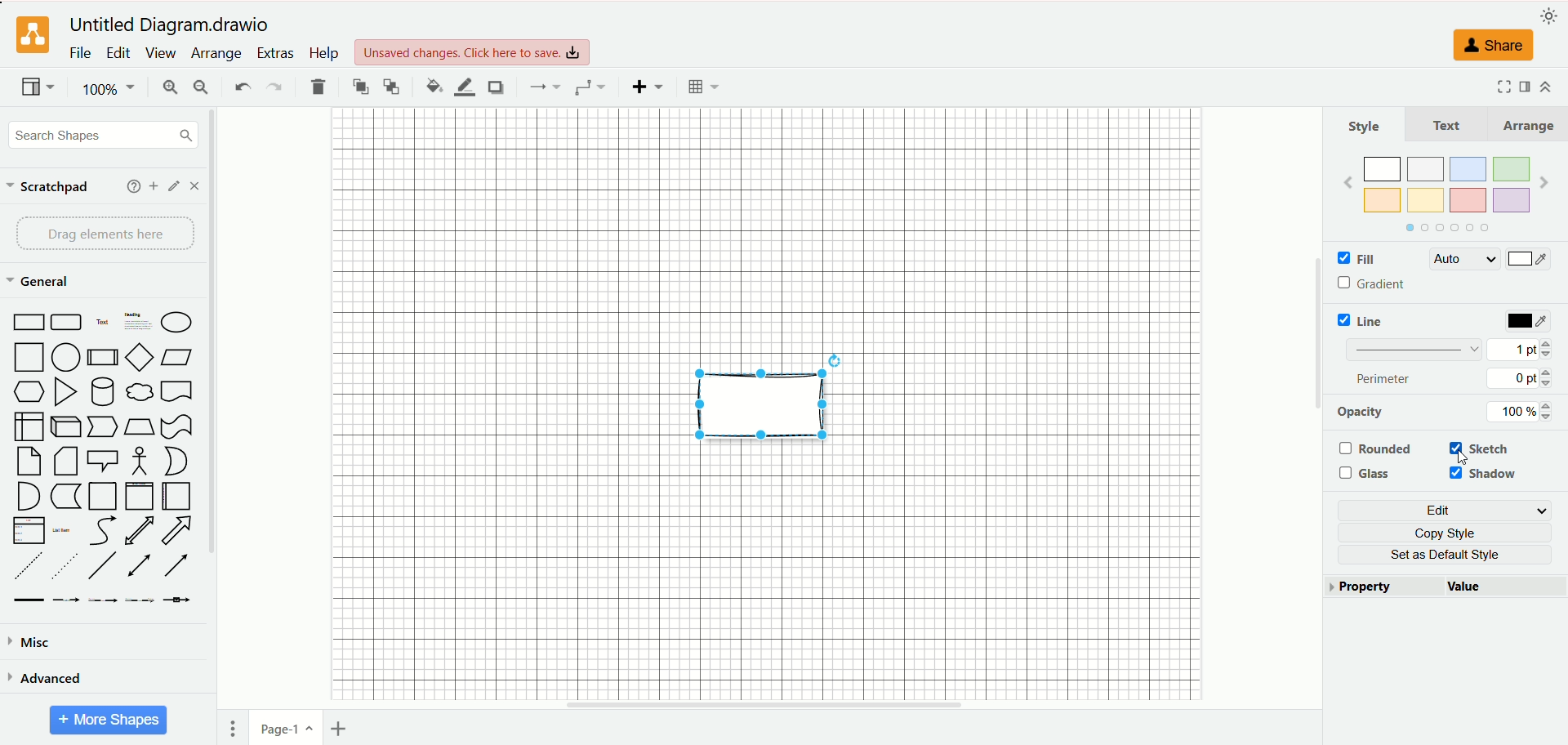  What do you see at coordinates (1365, 126) in the screenshot?
I see `style` at bounding box center [1365, 126].